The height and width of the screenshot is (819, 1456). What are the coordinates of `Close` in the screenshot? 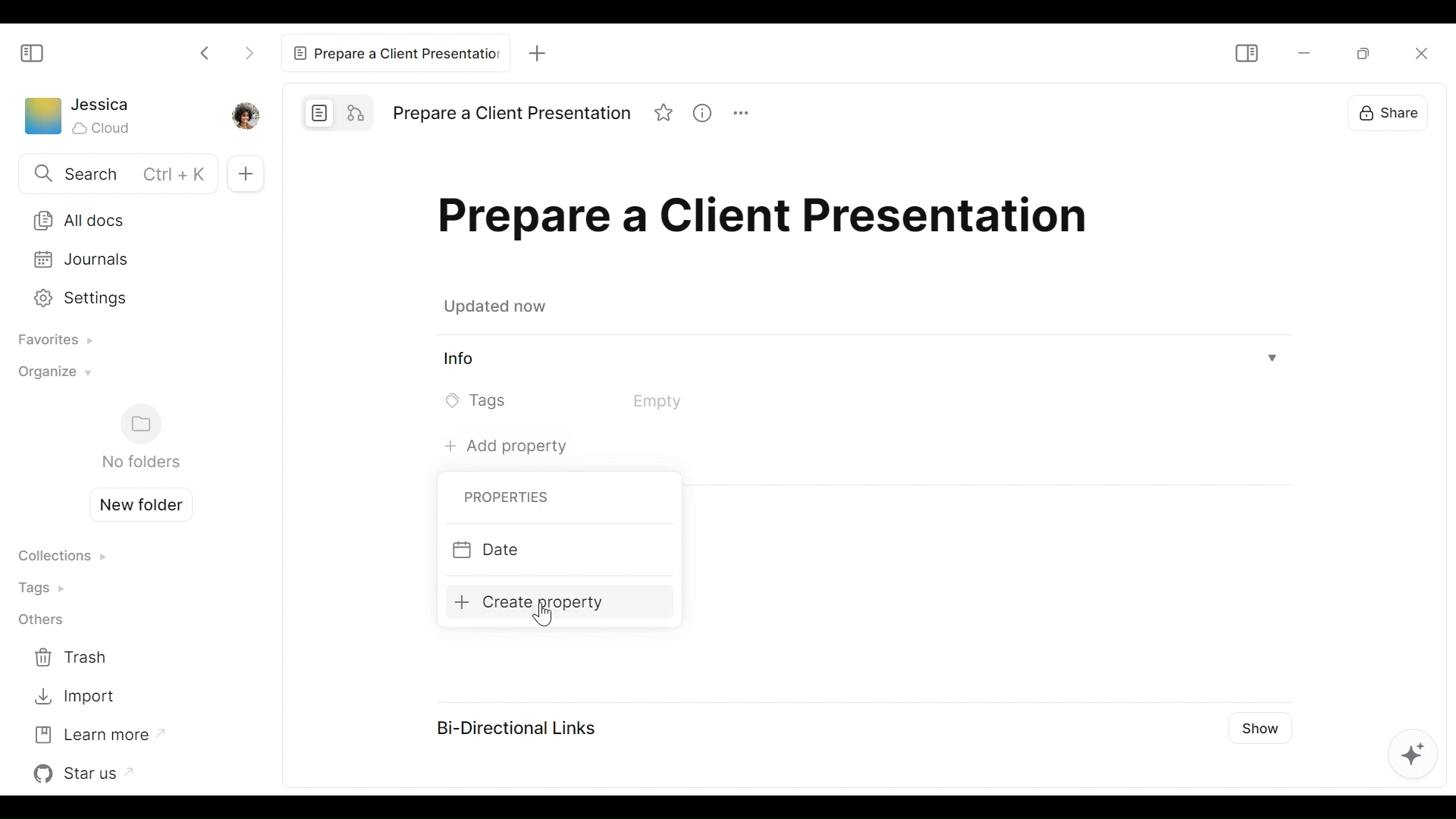 It's located at (1414, 61).